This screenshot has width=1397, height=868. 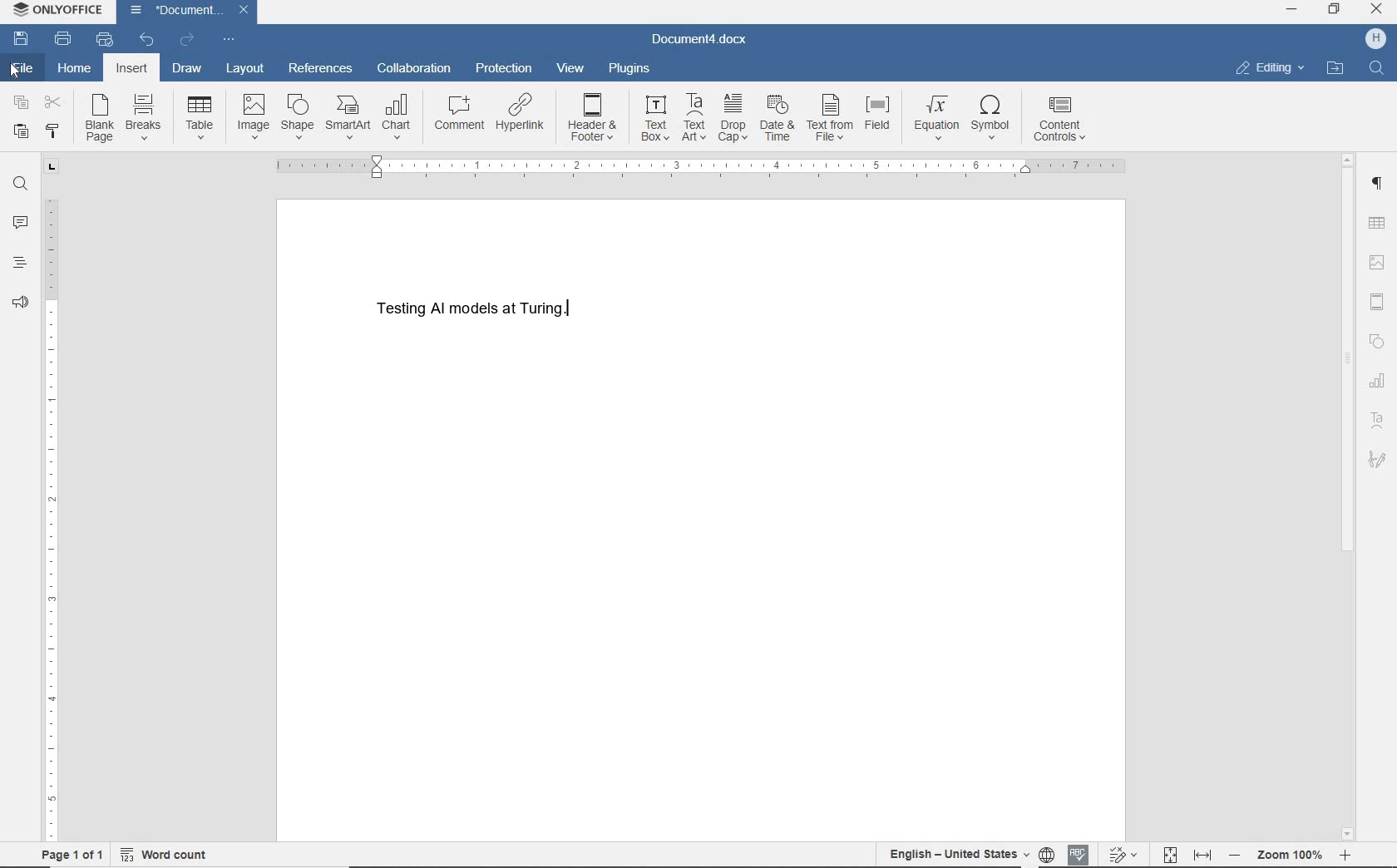 What do you see at coordinates (297, 117) in the screenshot?
I see `shapes` at bounding box center [297, 117].